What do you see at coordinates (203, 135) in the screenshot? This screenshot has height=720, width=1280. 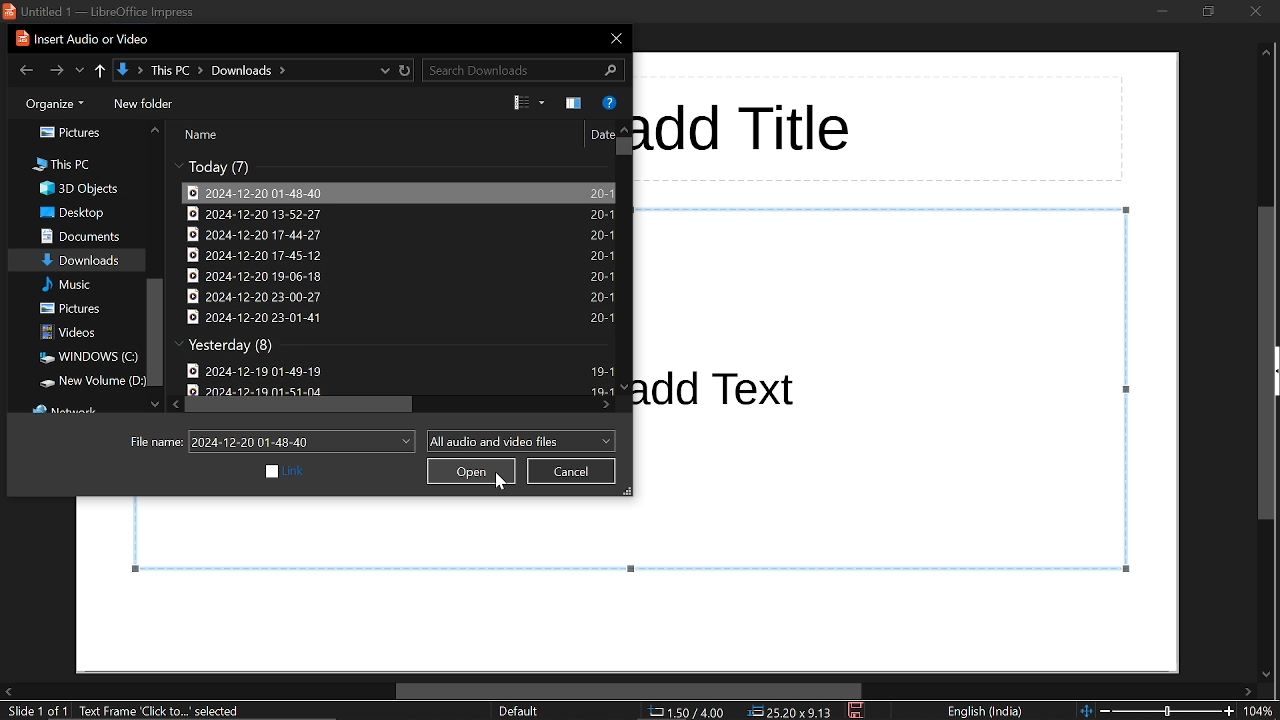 I see `name` at bounding box center [203, 135].